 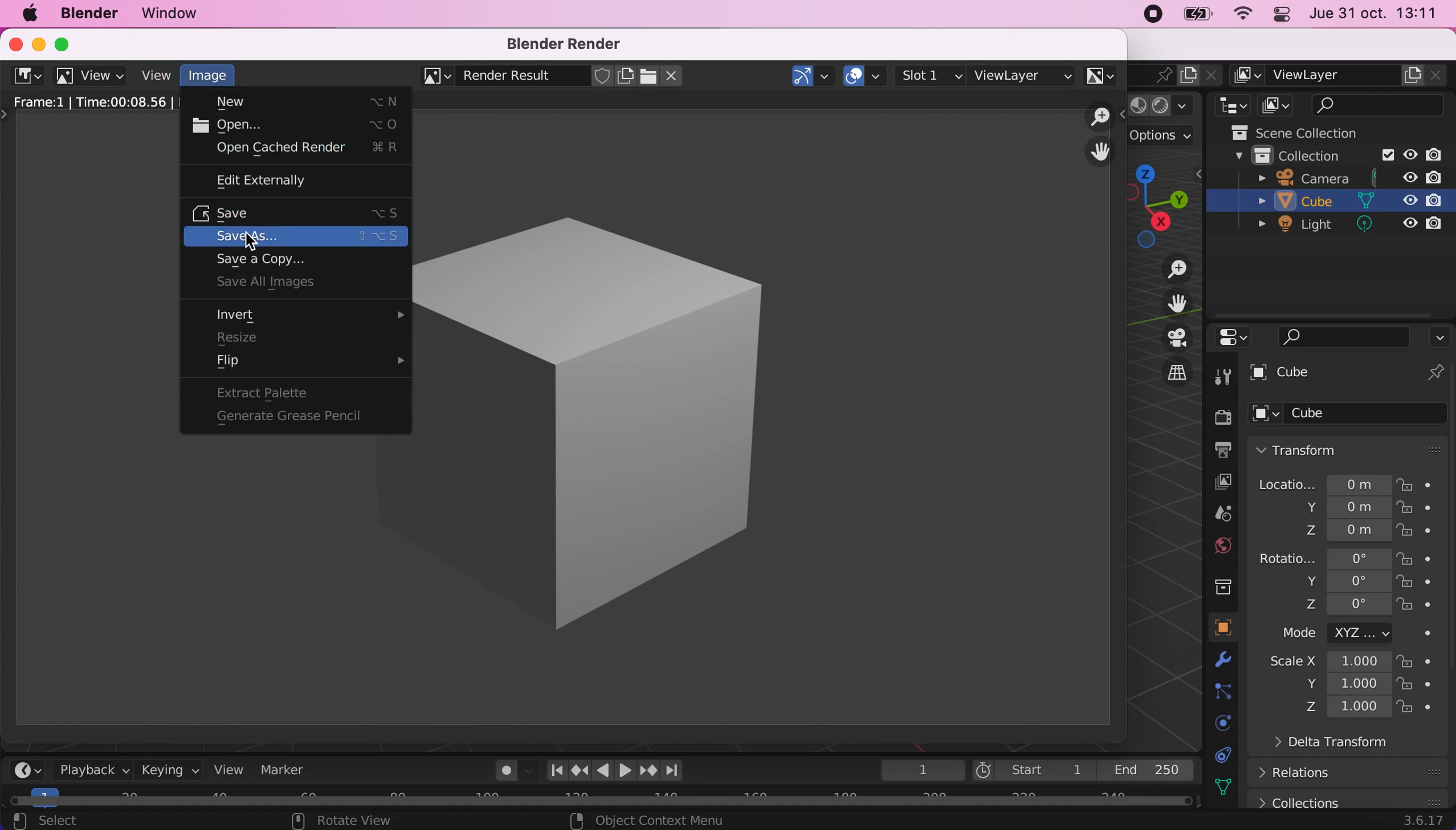 I want to click on gizmos, so click(x=813, y=76).